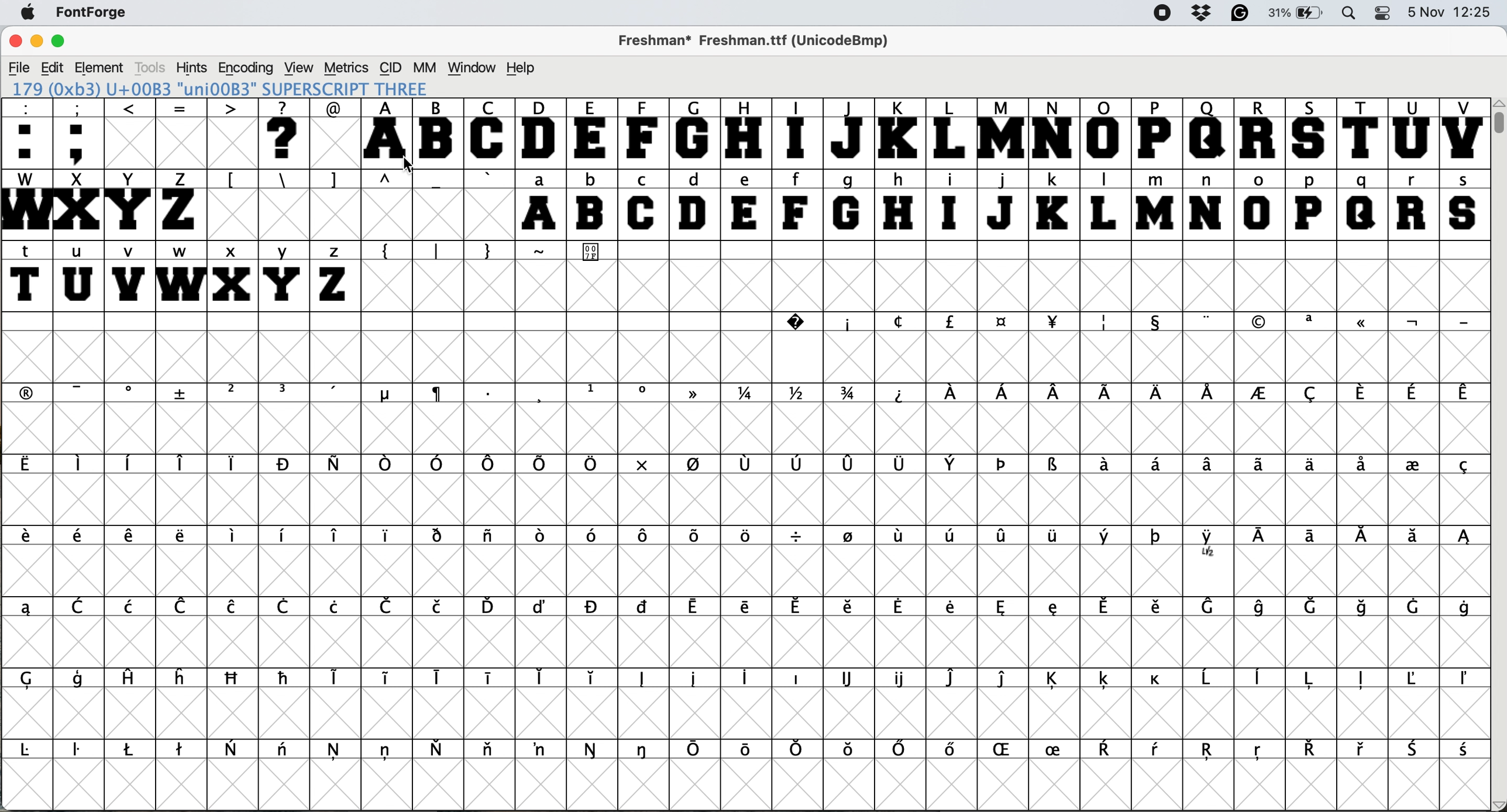 The width and height of the screenshot is (1507, 812). I want to click on symbol, so click(1412, 536).